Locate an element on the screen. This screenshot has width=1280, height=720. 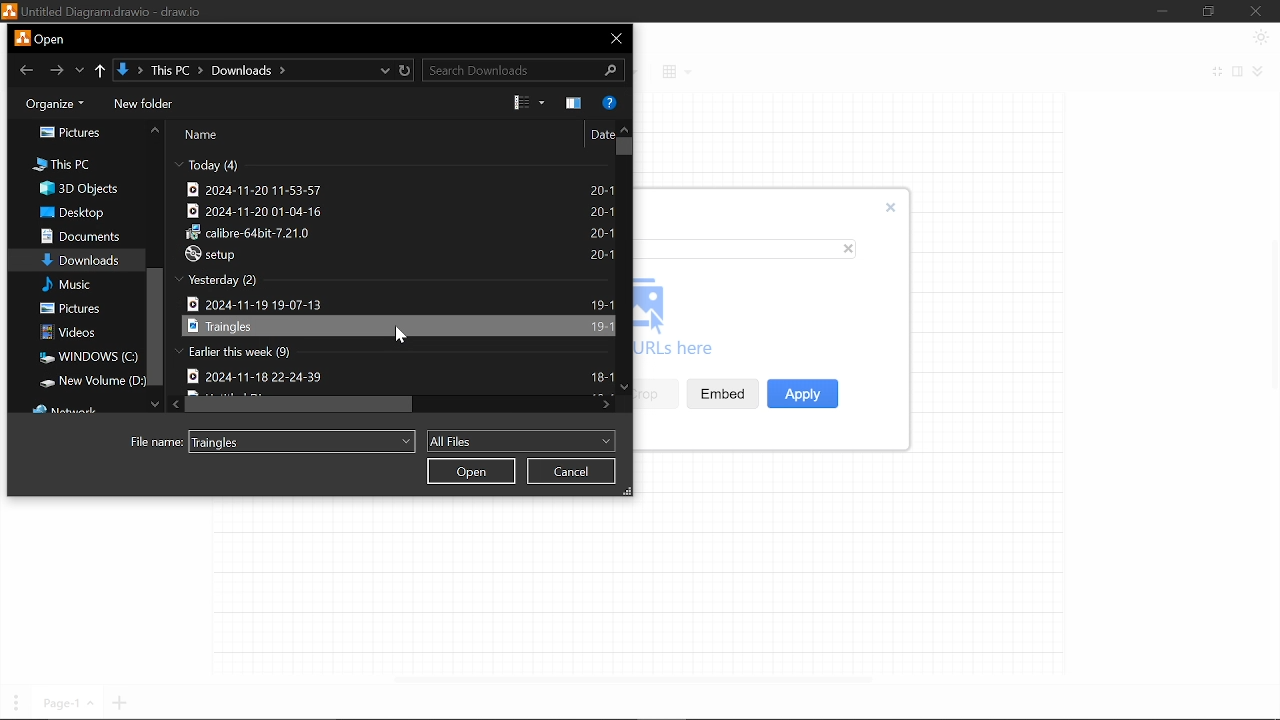
2024-11-20 11-53-57 is located at coordinates (299, 190).